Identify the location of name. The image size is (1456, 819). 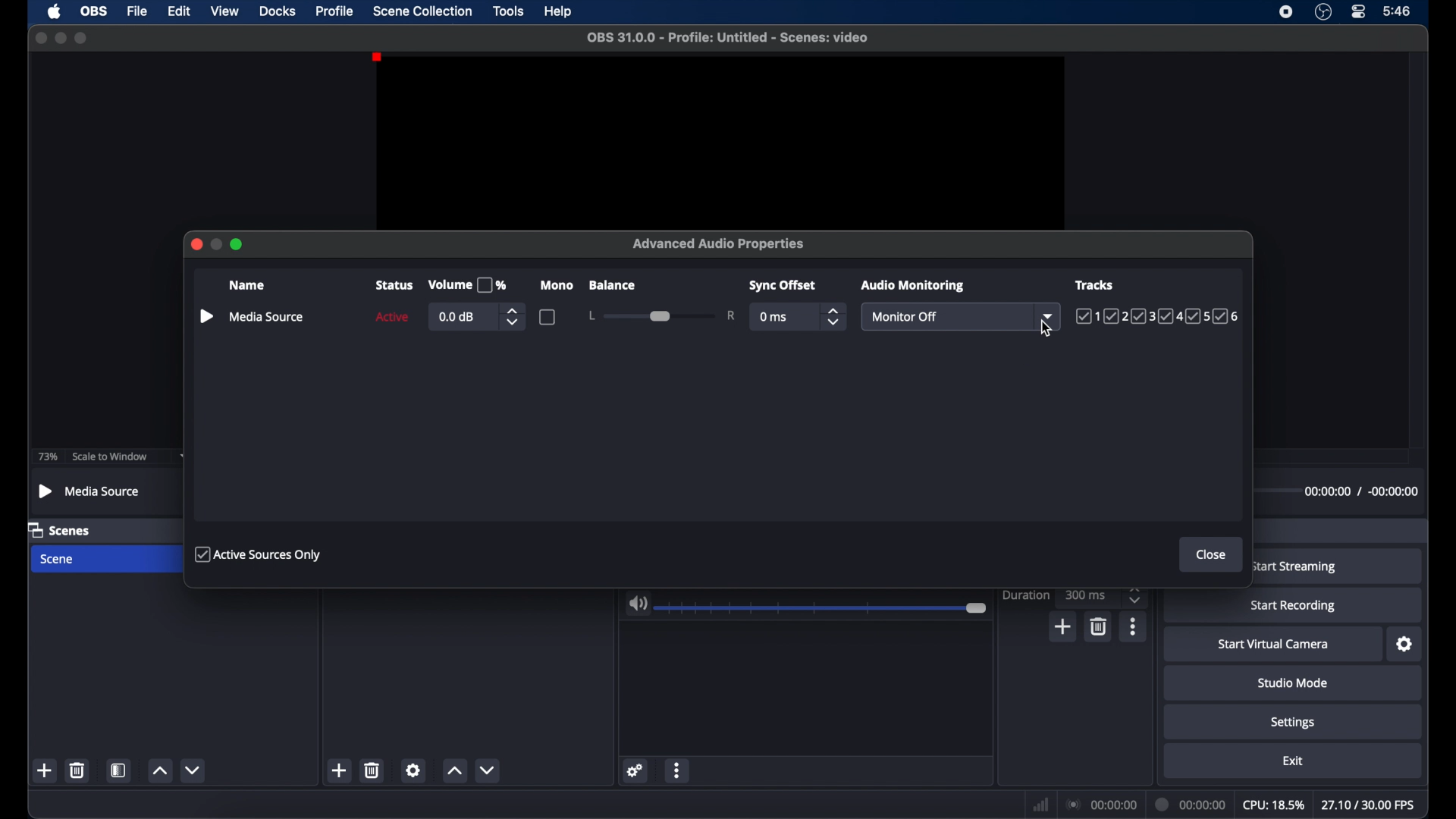
(249, 286).